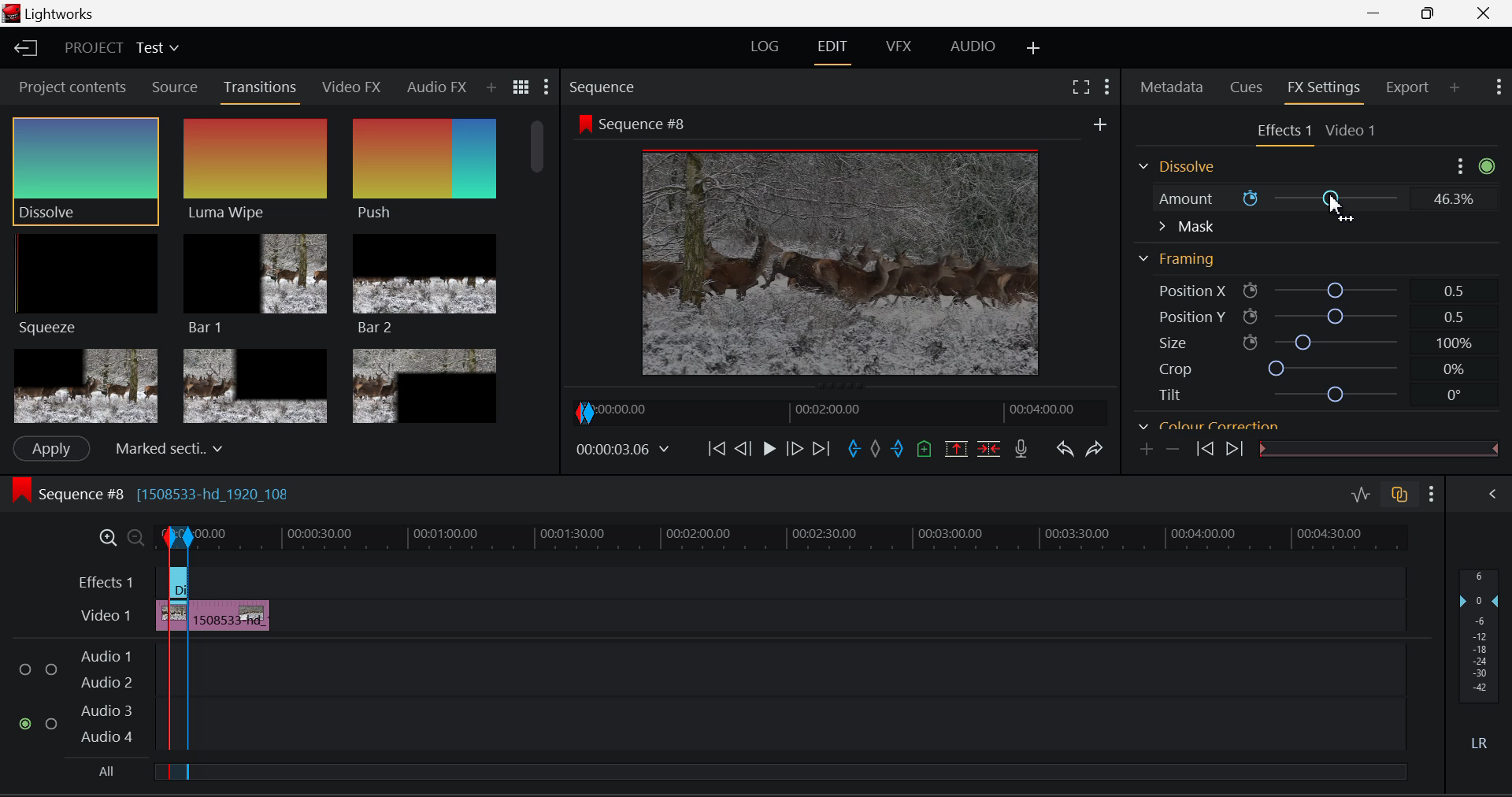 The height and width of the screenshot is (797, 1512). Describe the element at coordinates (50, 13) in the screenshot. I see `Window Title` at that location.